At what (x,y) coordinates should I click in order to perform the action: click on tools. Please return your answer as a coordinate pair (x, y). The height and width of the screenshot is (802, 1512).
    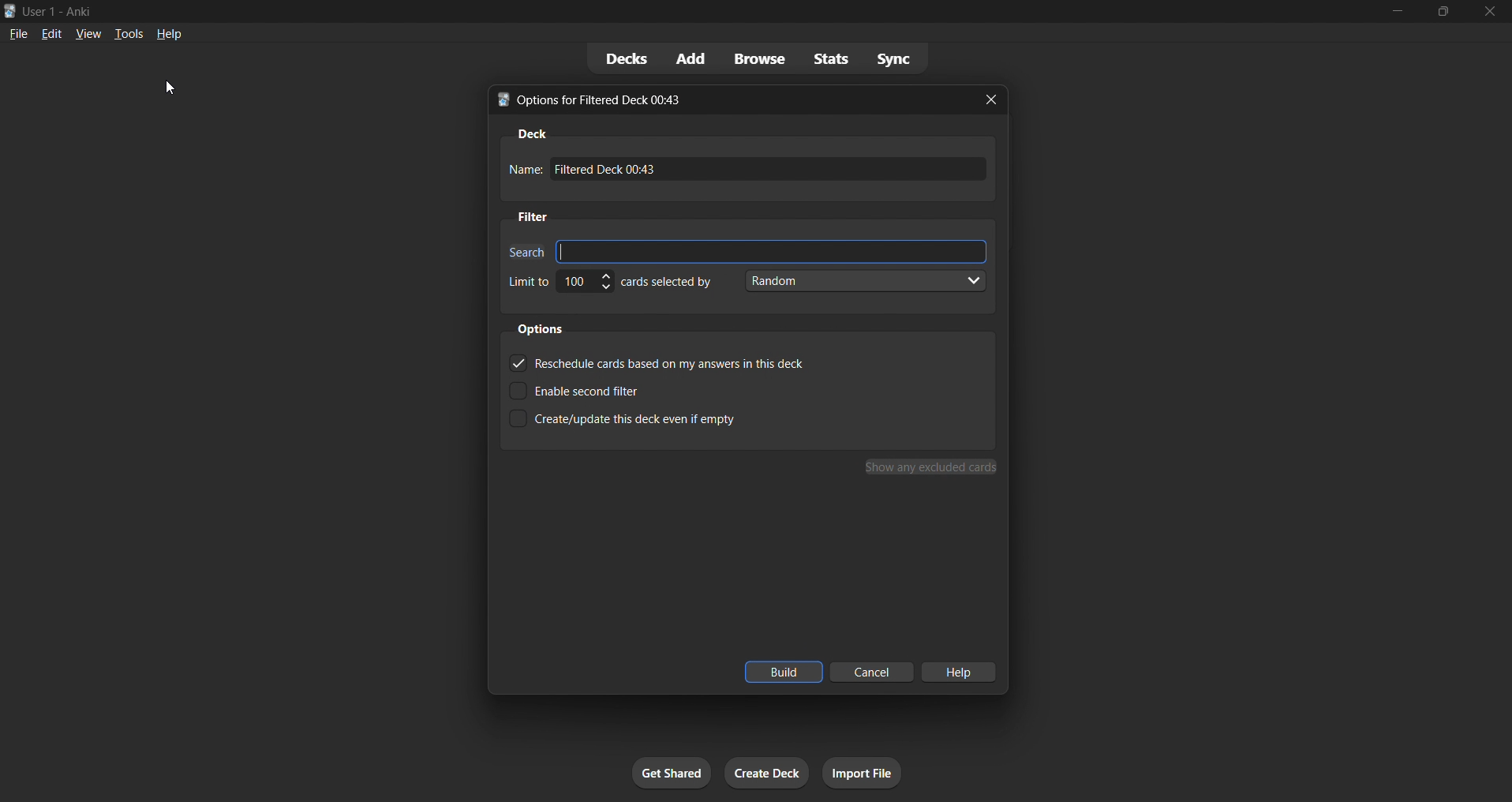
    Looking at the image, I should click on (131, 32).